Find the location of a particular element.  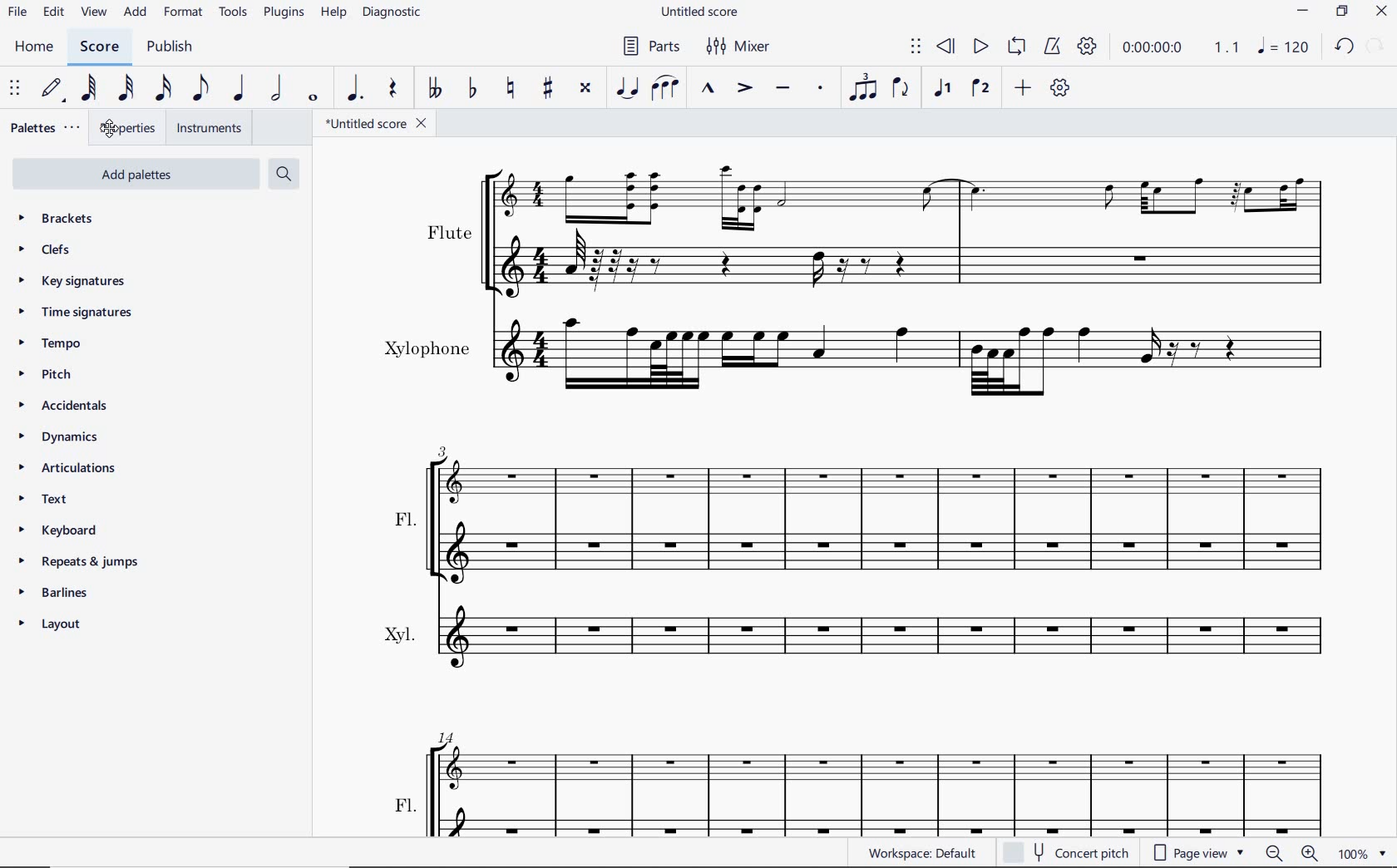

REWIND is located at coordinates (945, 47).